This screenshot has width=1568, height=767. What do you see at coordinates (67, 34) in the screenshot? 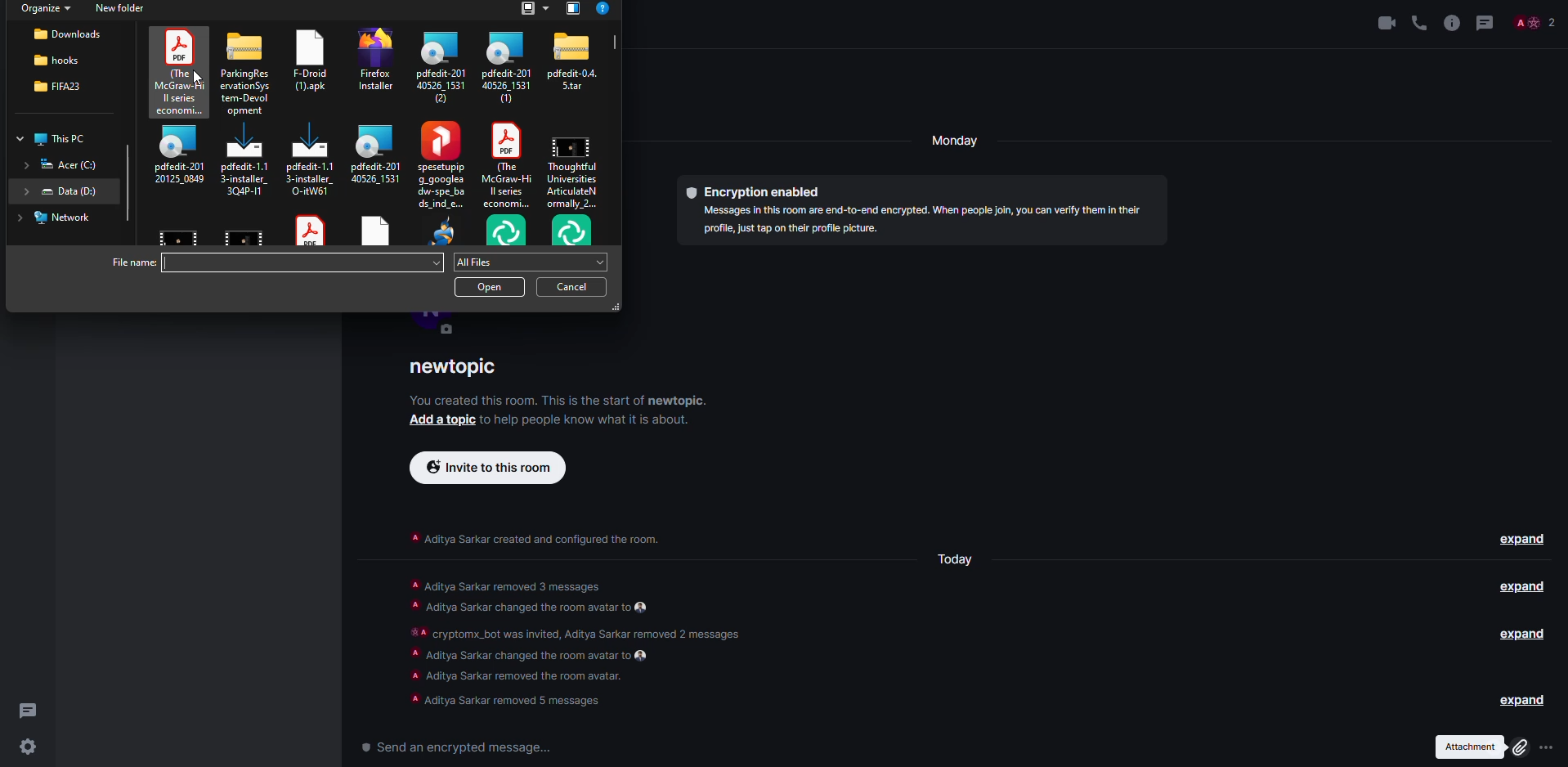
I see `location` at bounding box center [67, 34].